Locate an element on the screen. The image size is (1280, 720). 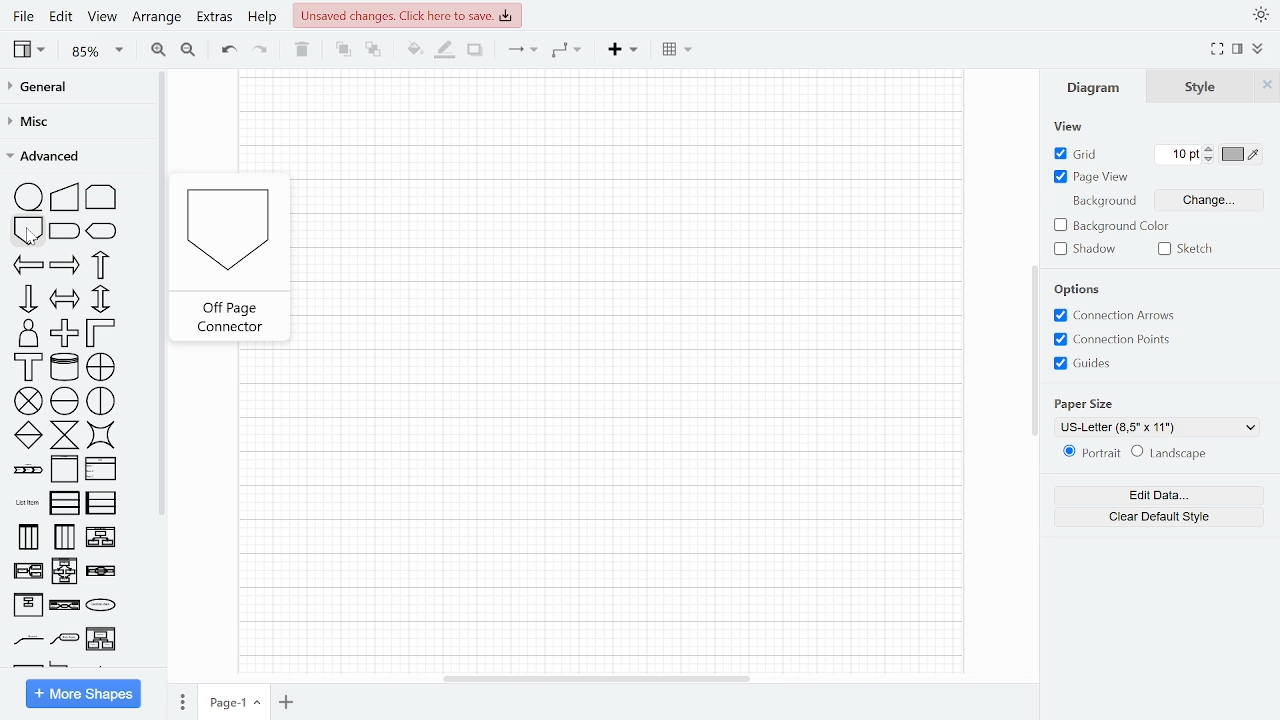
Diagram is located at coordinates (1100, 86).